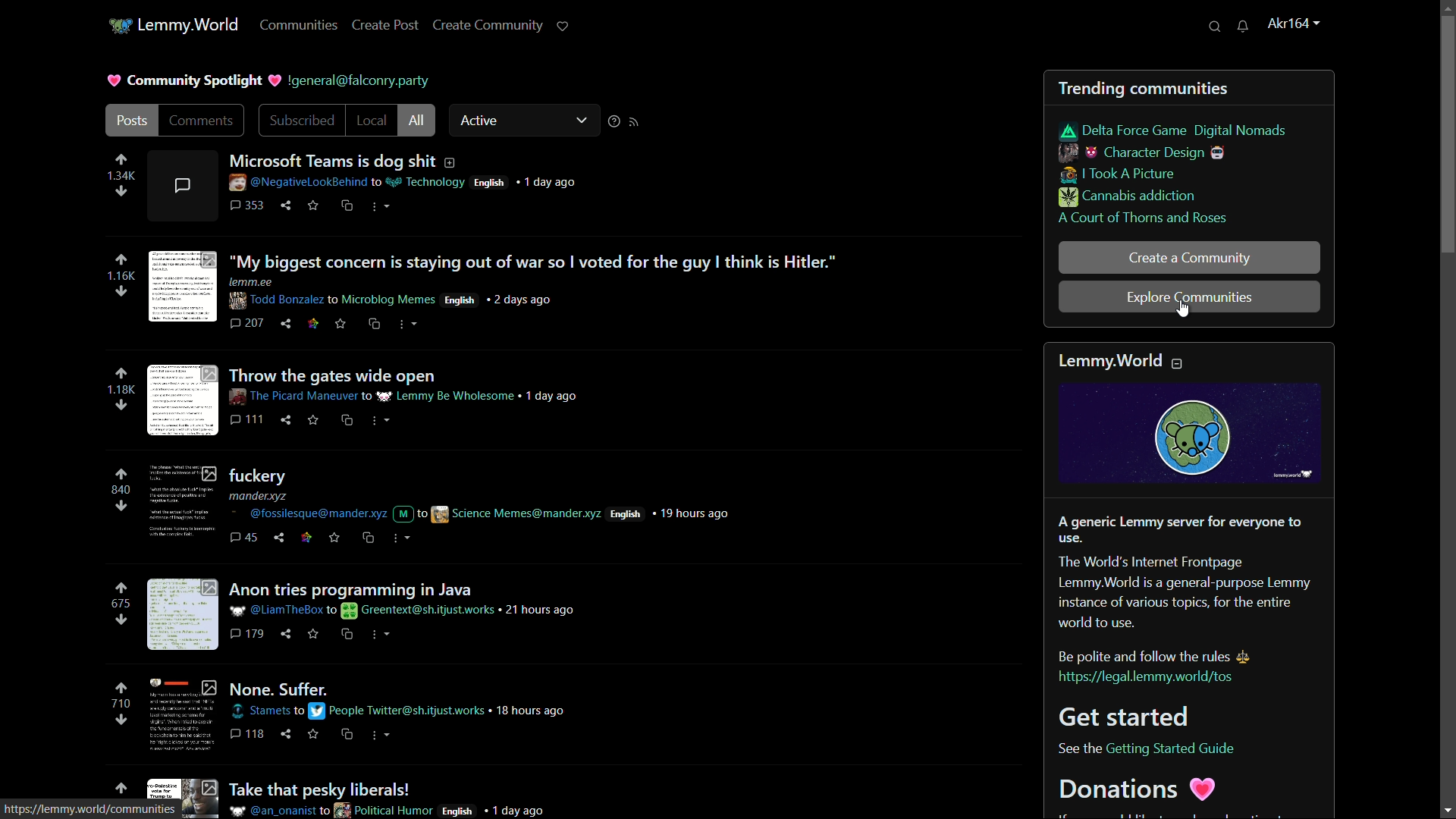 Image resolution: width=1456 pixels, height=819 pixels. I want to click on image, so click(185, 713).